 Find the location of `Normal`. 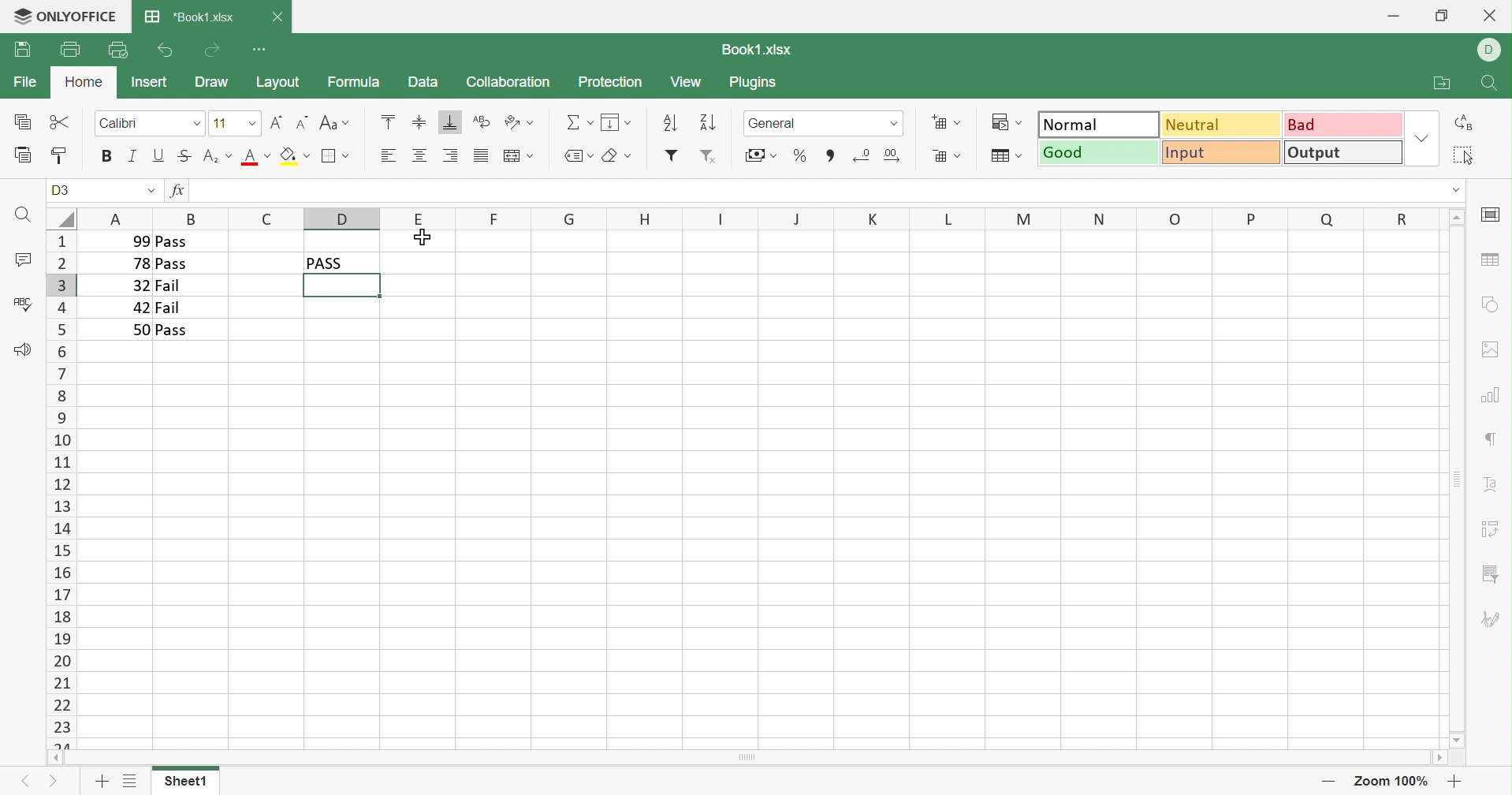

Normal is located at coordinates (1098, 123).